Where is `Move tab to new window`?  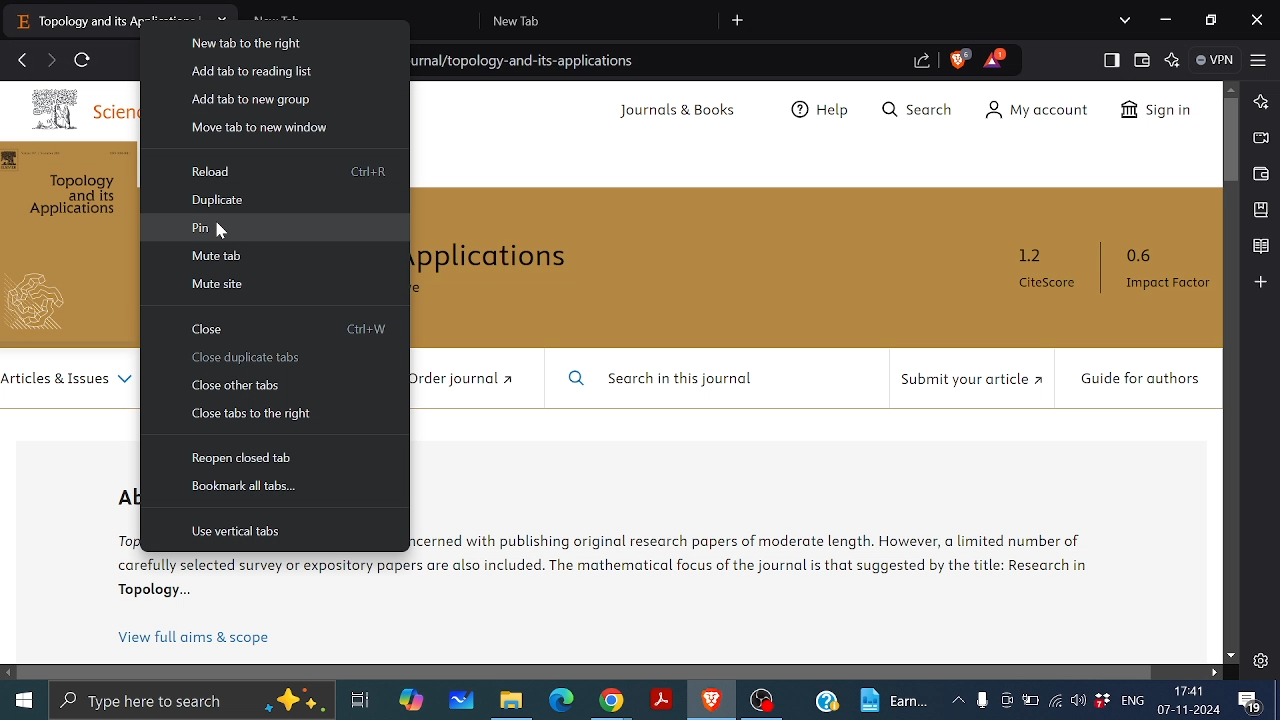
Move tab to new window is located at coordinates (264, 128).